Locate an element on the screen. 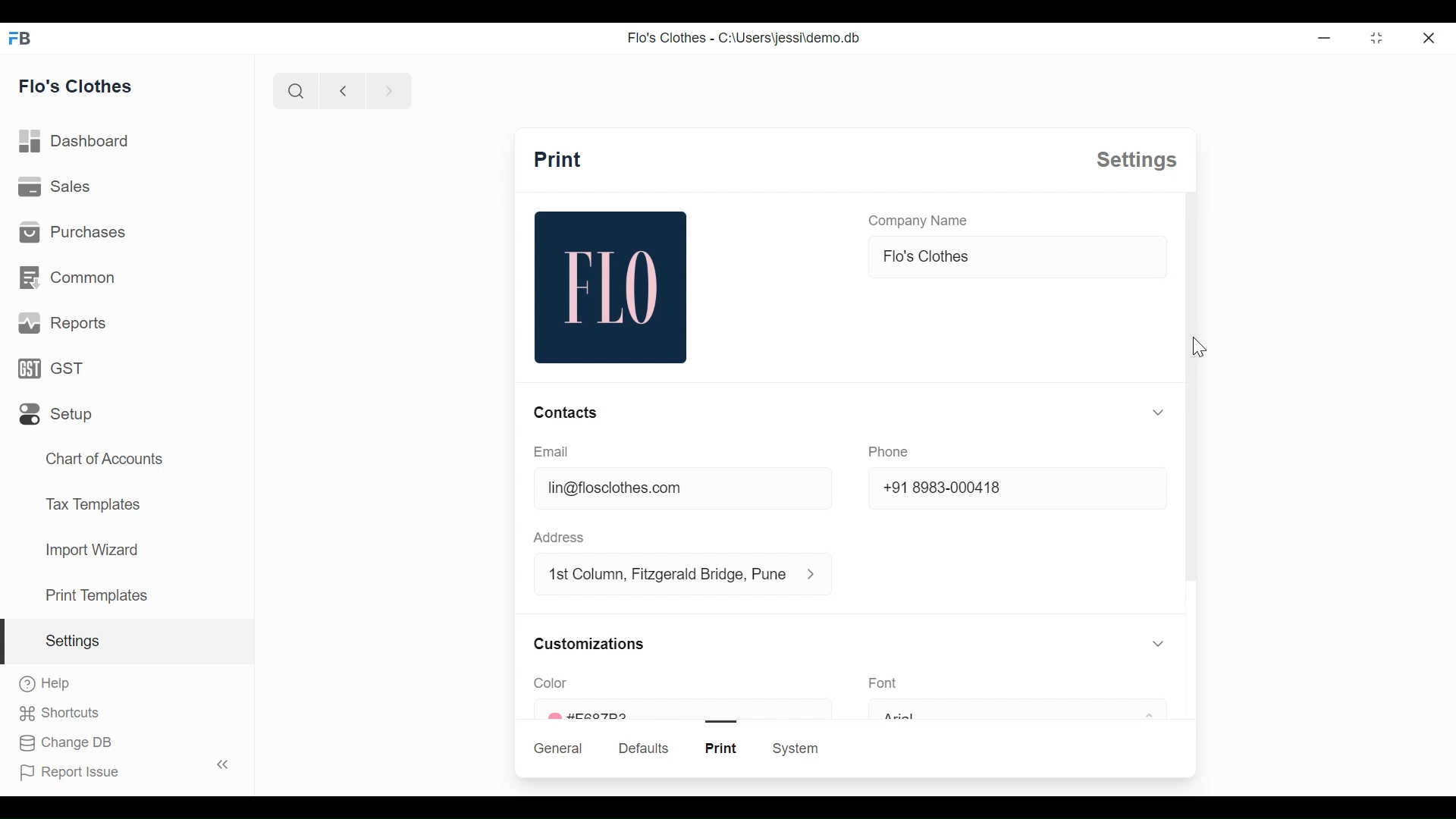 The height and width of the screenshot is (819, 1456). close is located at coordinates (1428, 37).